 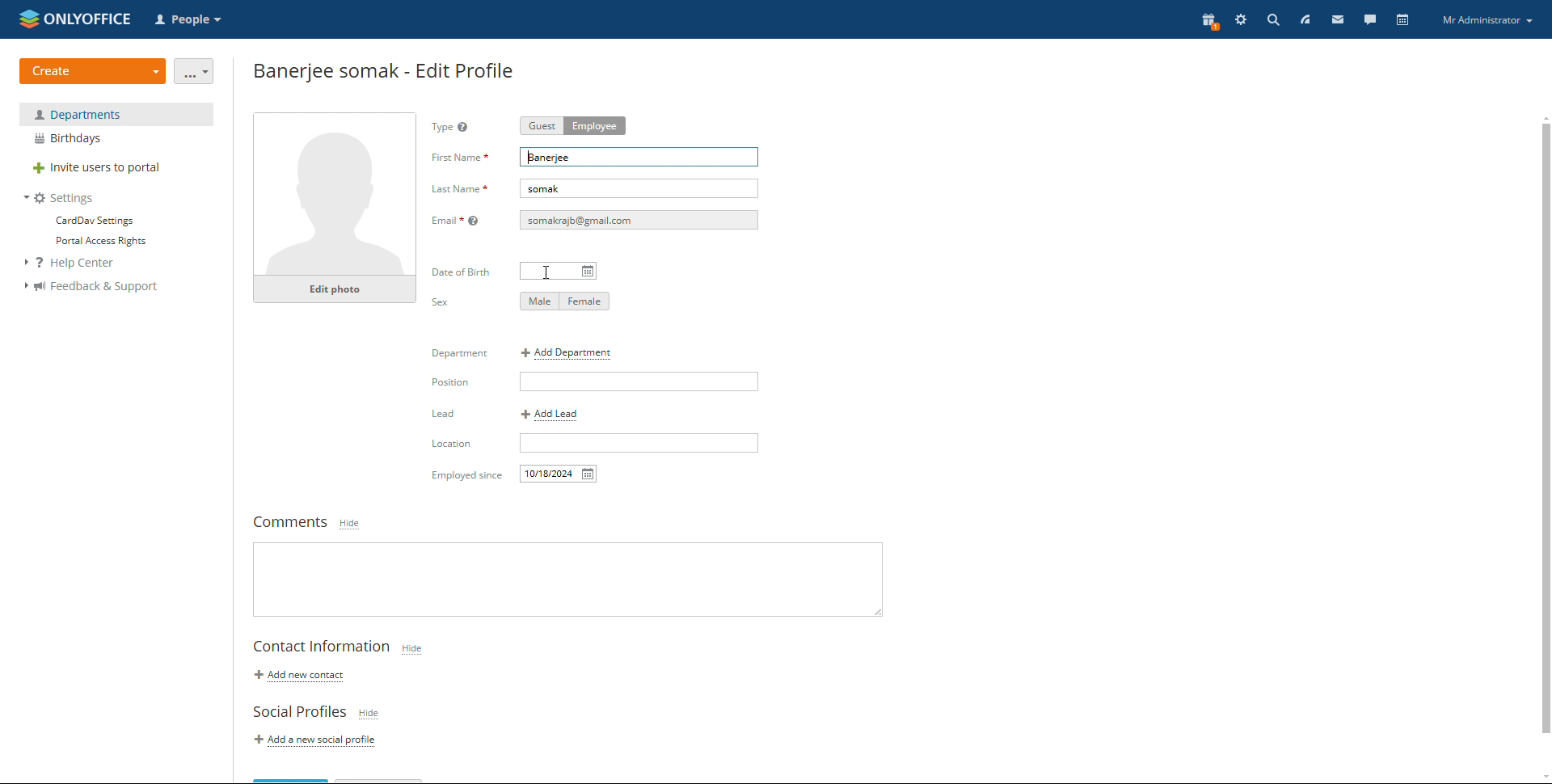 What do you see at coordinates (322, 647) in the screenshot?
I see `contact information` at bounding box center [322, 647].